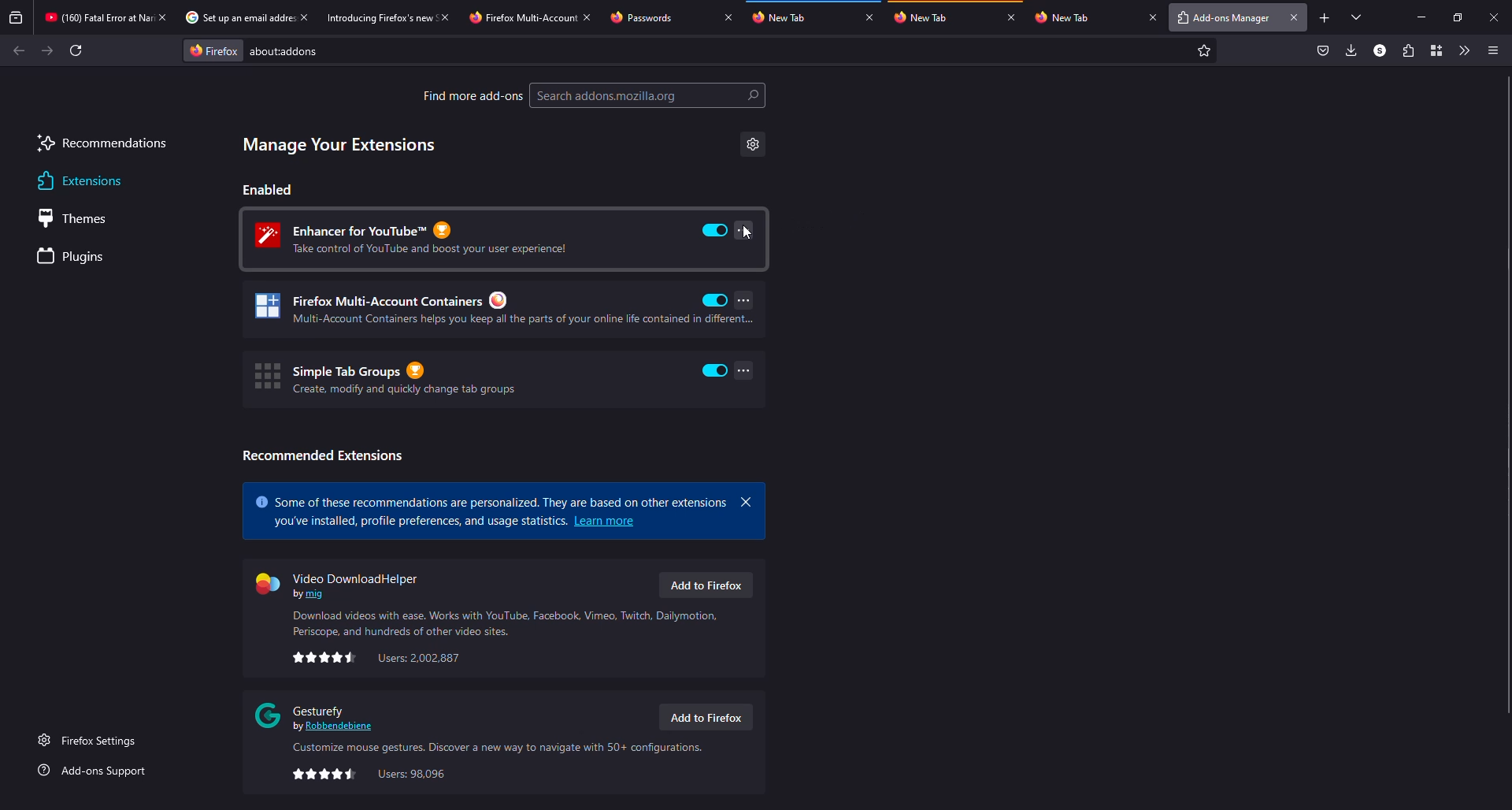 The height and width of the screenshot is (810, 1512). I want to click on info, so click(508, 623).